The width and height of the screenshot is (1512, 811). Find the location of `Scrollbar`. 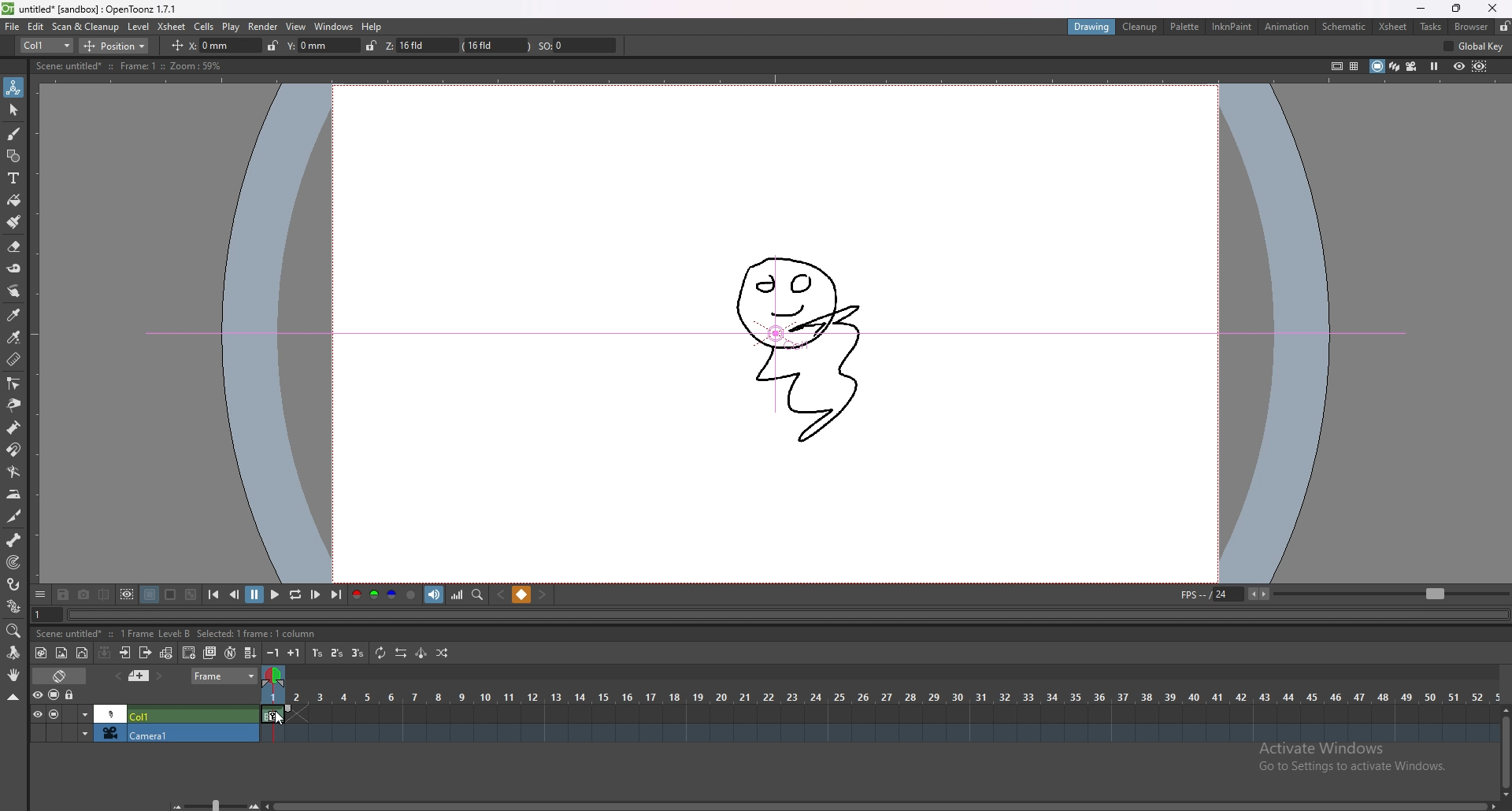

Scrollbar is located at coordinates (883, 802).